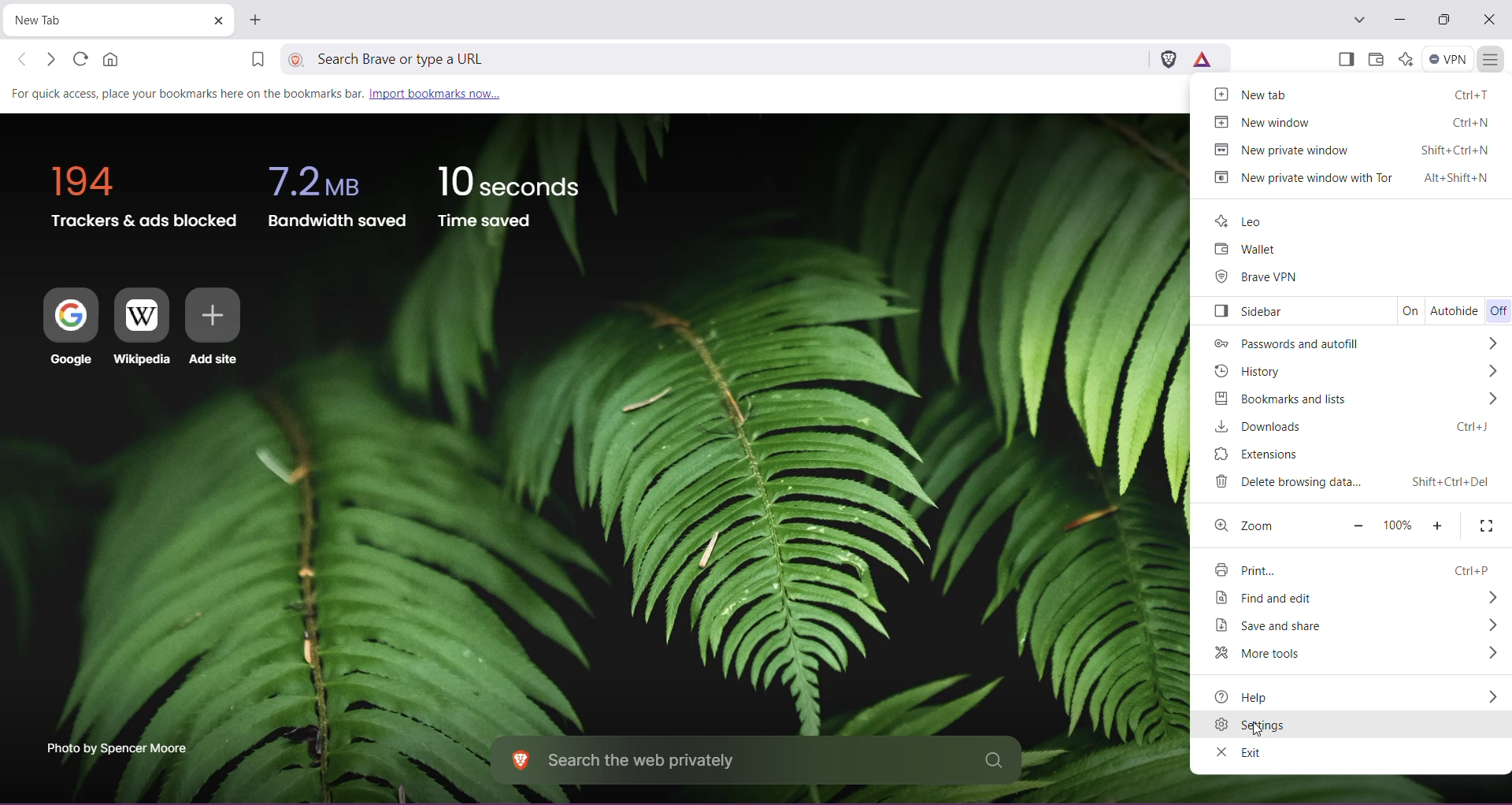 This screenshot has height=805, width=1512. What do you see at coordinates (1351, 725) in the screenshot?
I see `Settings` at bounding box center [1351, 725].